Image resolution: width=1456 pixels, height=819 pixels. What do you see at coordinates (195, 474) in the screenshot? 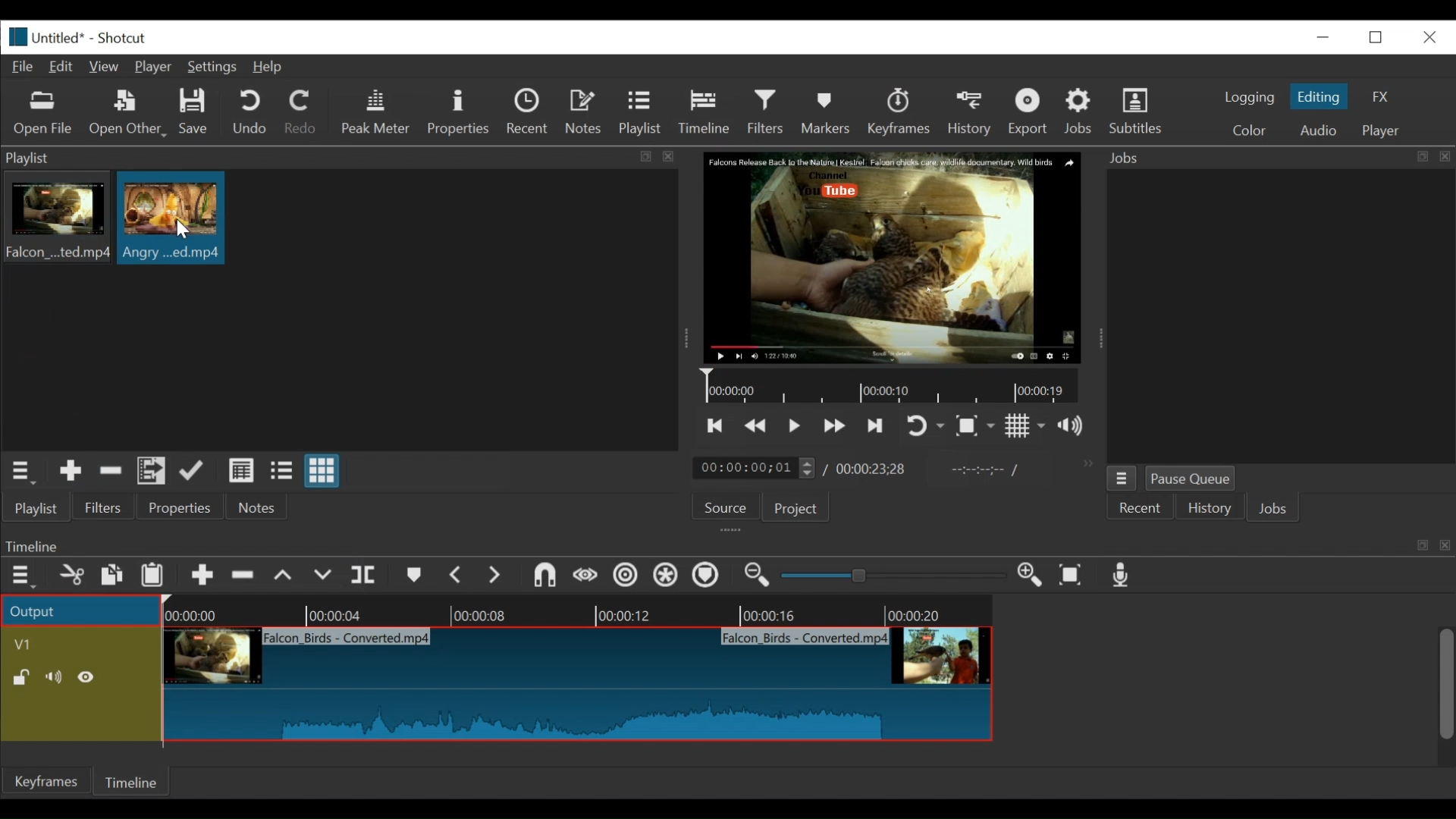
I see `update` at bounding box center [195, 474].